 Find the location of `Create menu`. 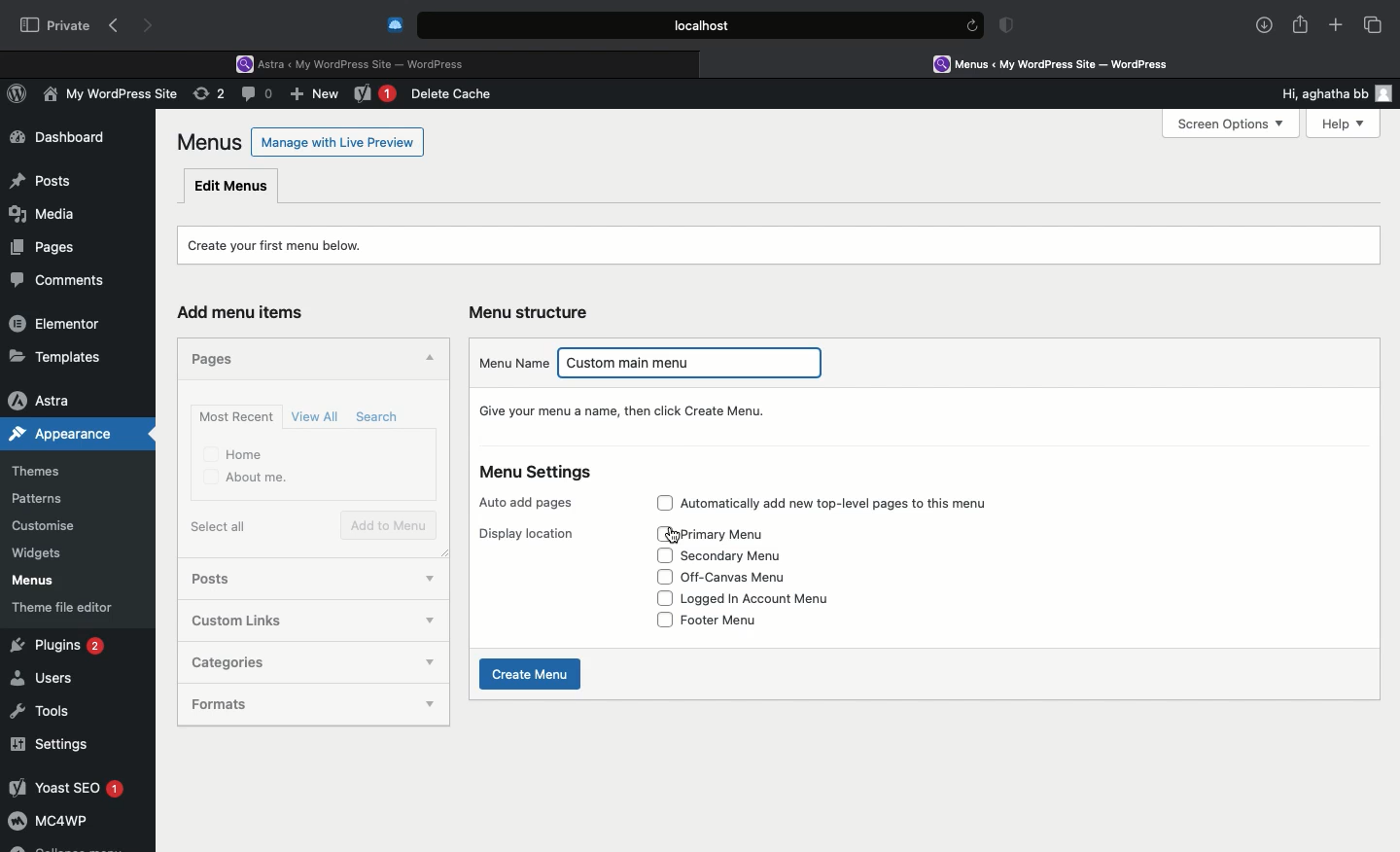

Create menu is located at coordinates (533, 674).